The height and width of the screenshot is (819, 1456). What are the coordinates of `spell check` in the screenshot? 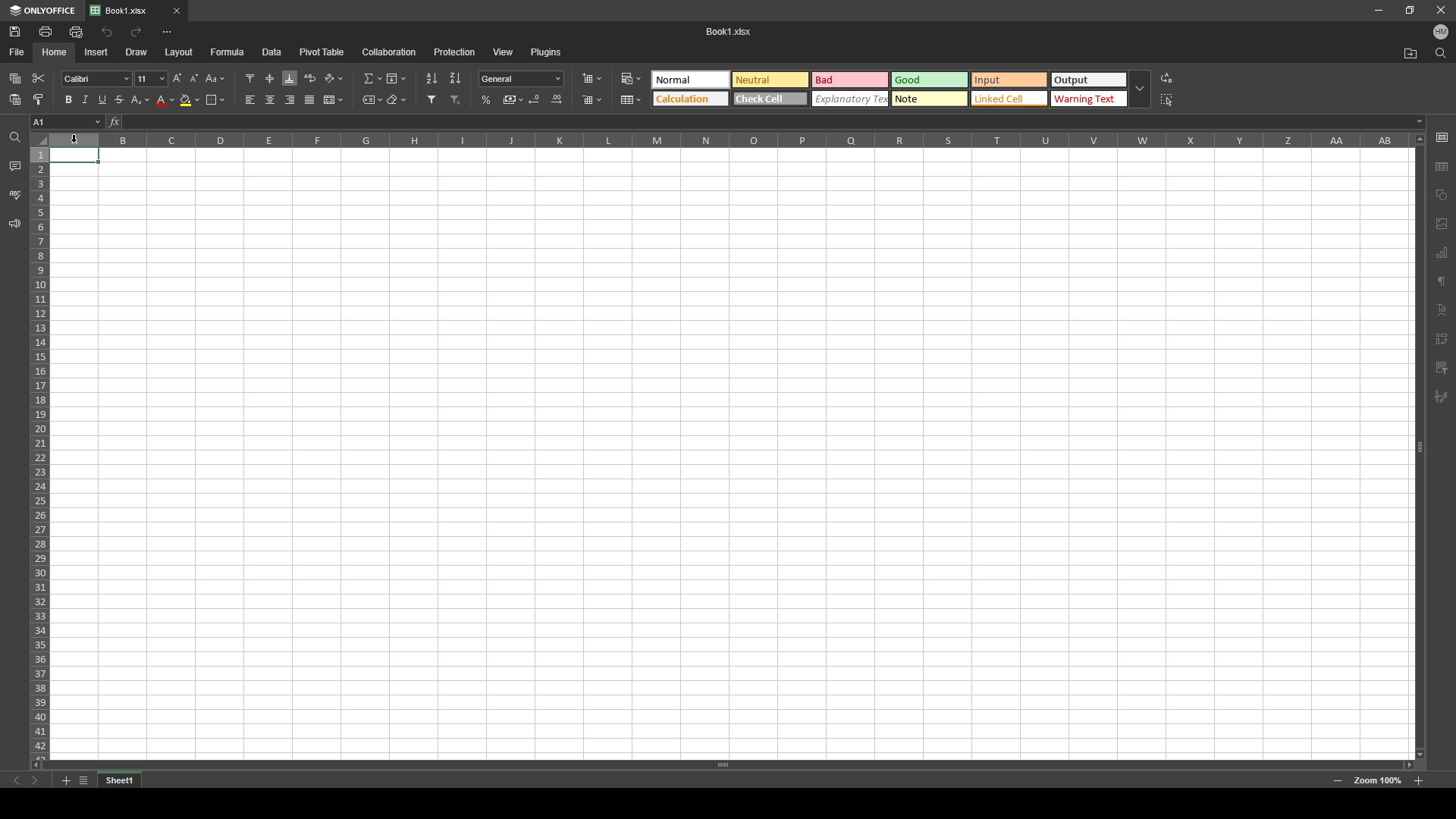 It's located at (16, 195).